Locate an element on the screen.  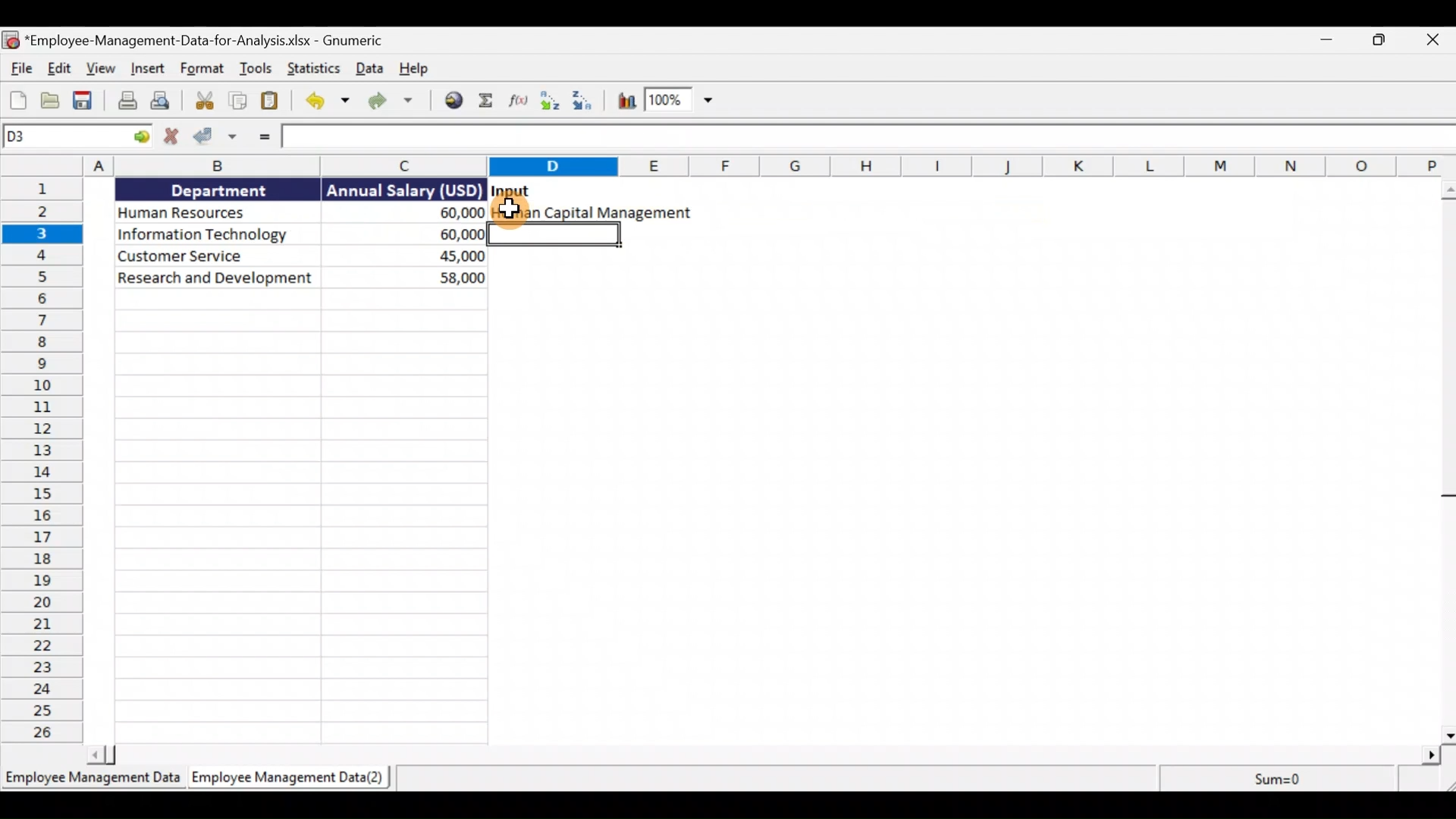
scroll bar is located at coordinates (765, 756).